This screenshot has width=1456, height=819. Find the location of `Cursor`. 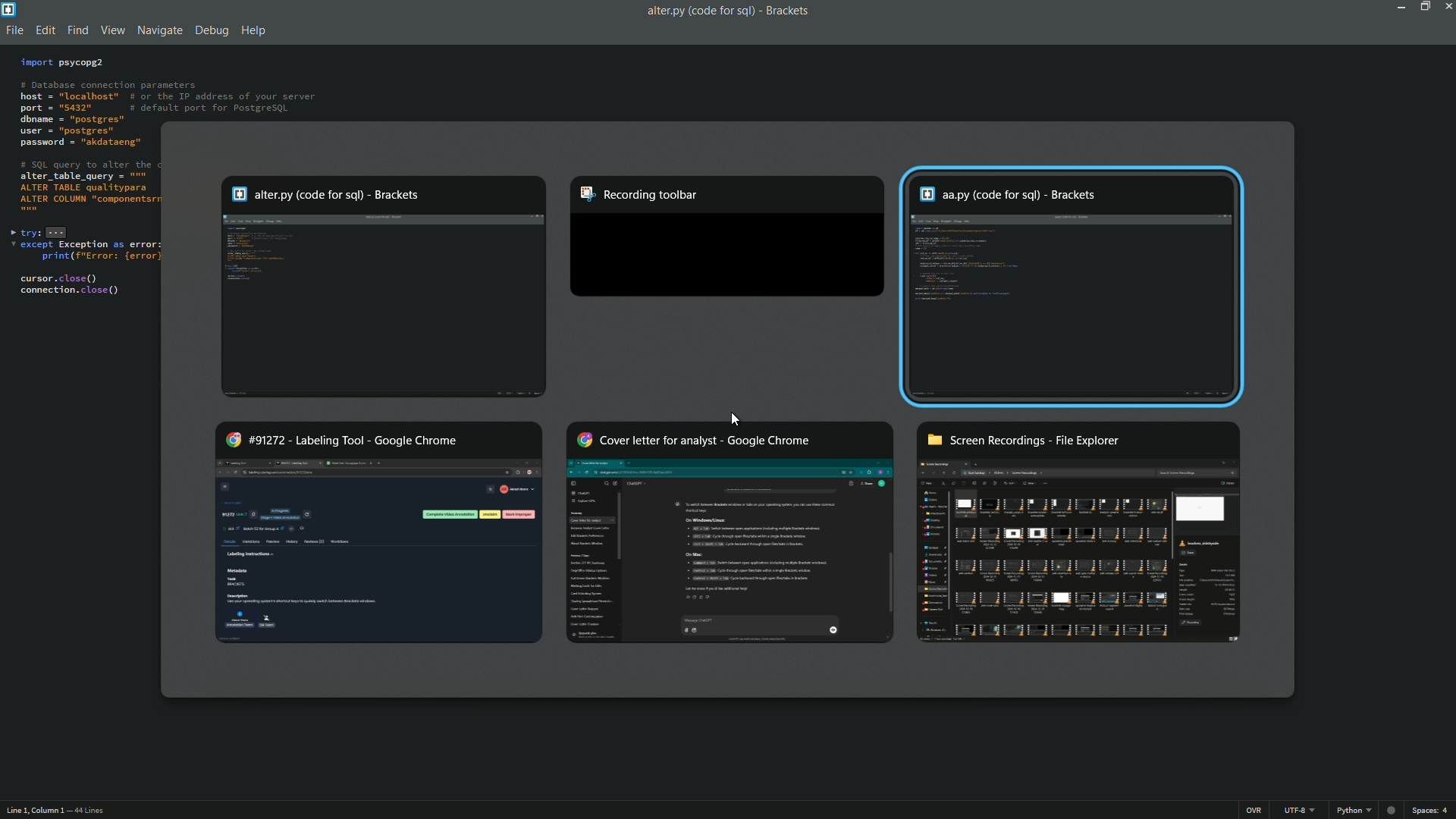

Cursor is located at coordinates (736, 419).